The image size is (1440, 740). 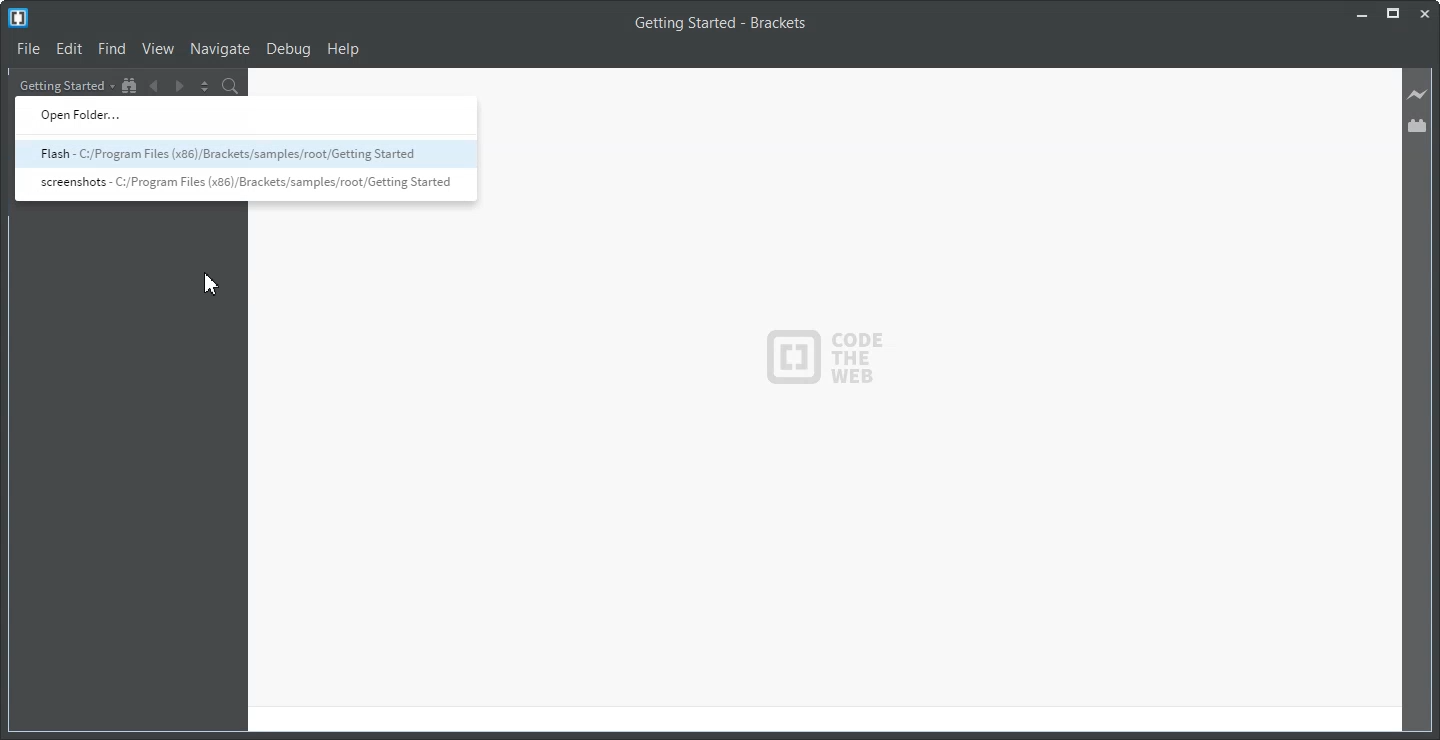 I want to click on Find in files, so click(x=231, y=86).